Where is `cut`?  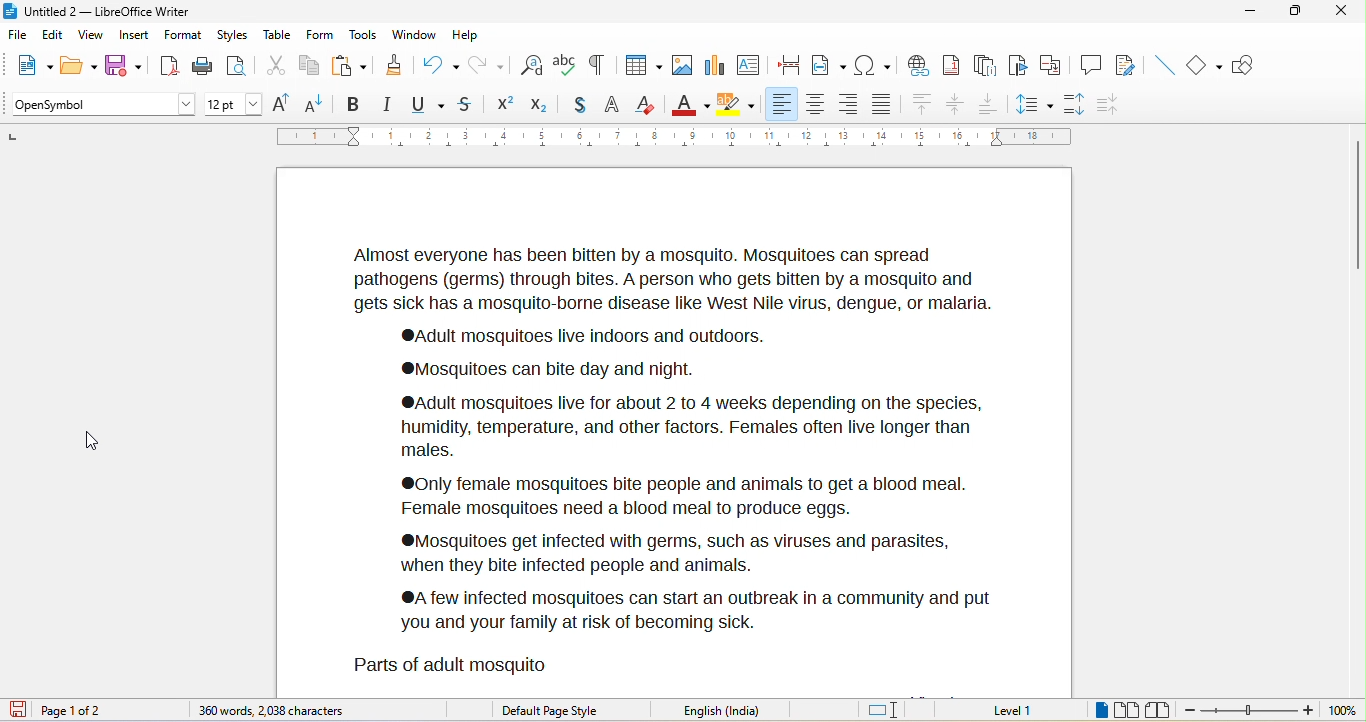
cut is located at coordinates (273, 66).